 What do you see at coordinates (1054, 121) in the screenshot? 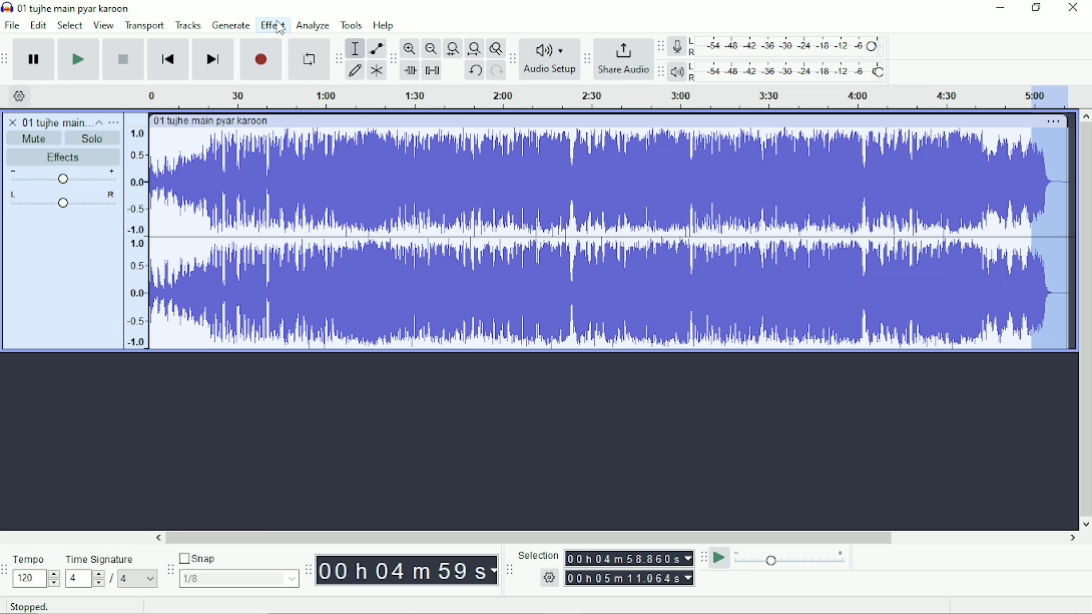
I see `More options` at bounding box center [1054, 121].